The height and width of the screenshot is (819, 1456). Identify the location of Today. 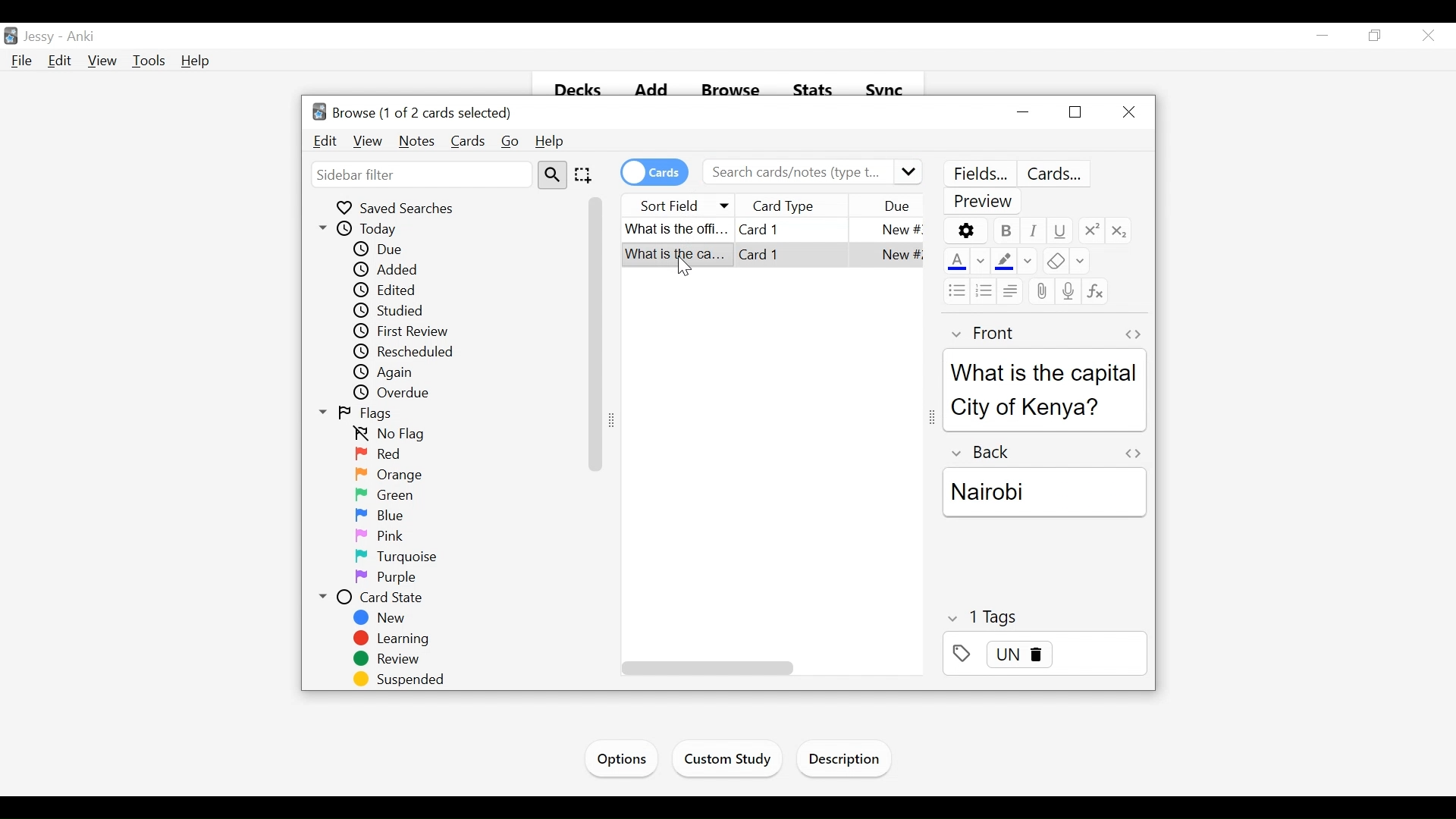
(363, 229).